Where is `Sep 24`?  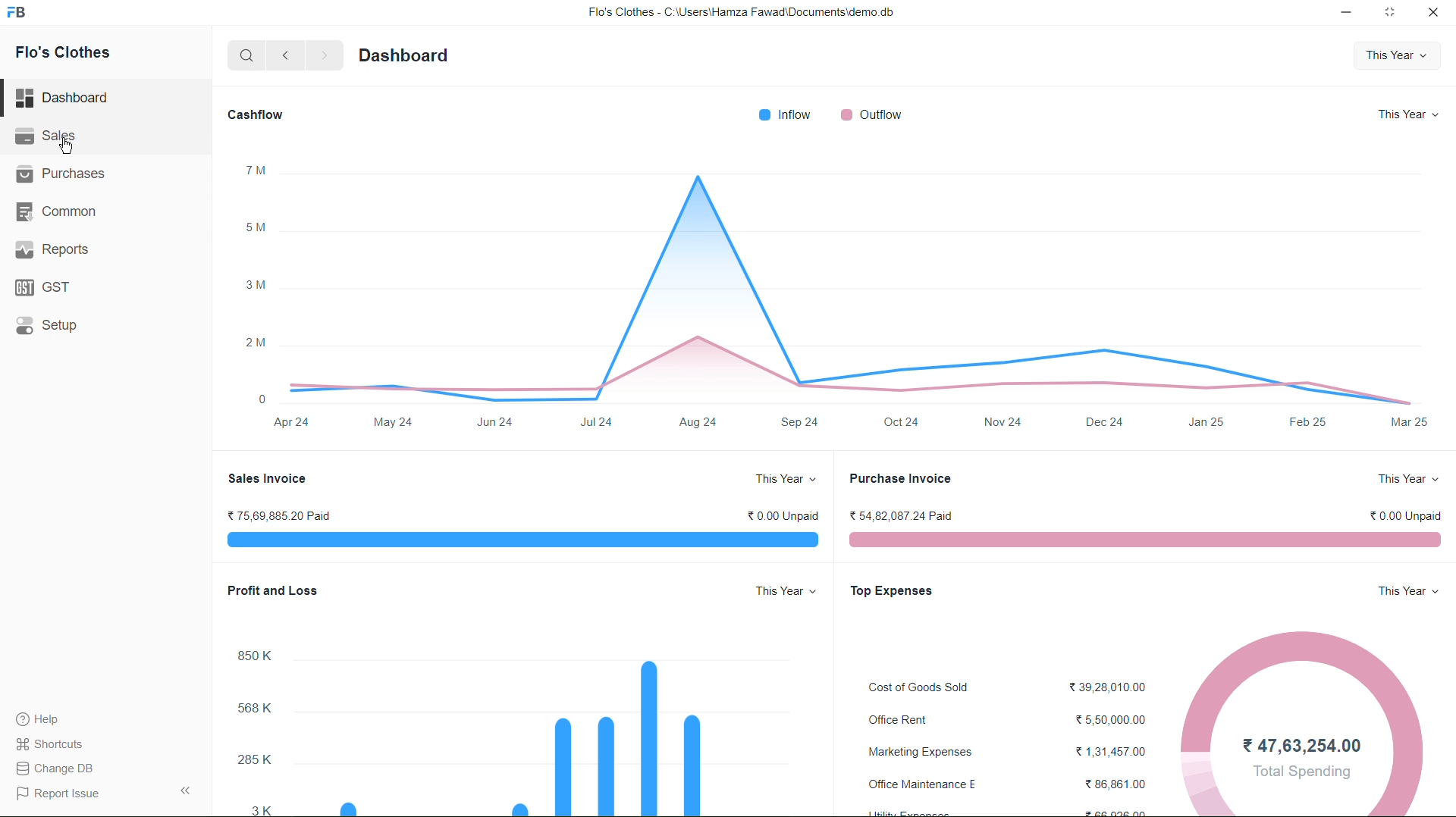 Sep 24 is located at coordinates (799, 420).